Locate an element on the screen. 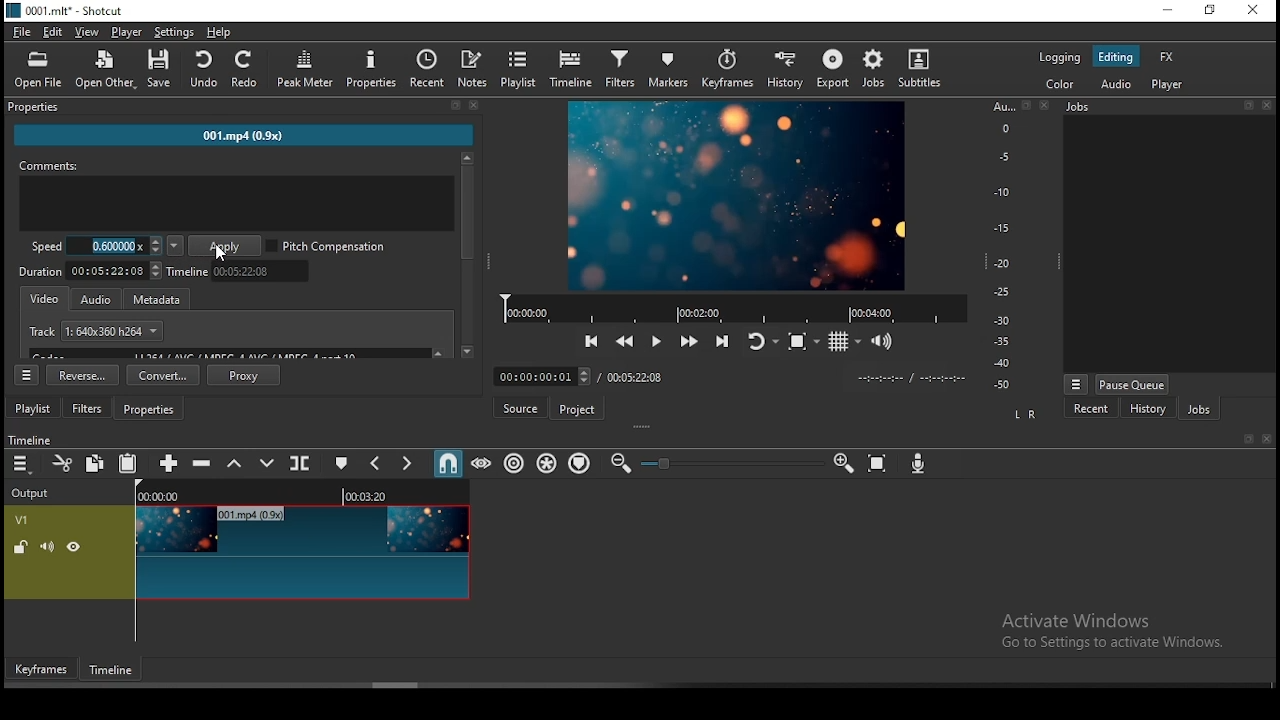  metadata is located at coordinates (162, 298).